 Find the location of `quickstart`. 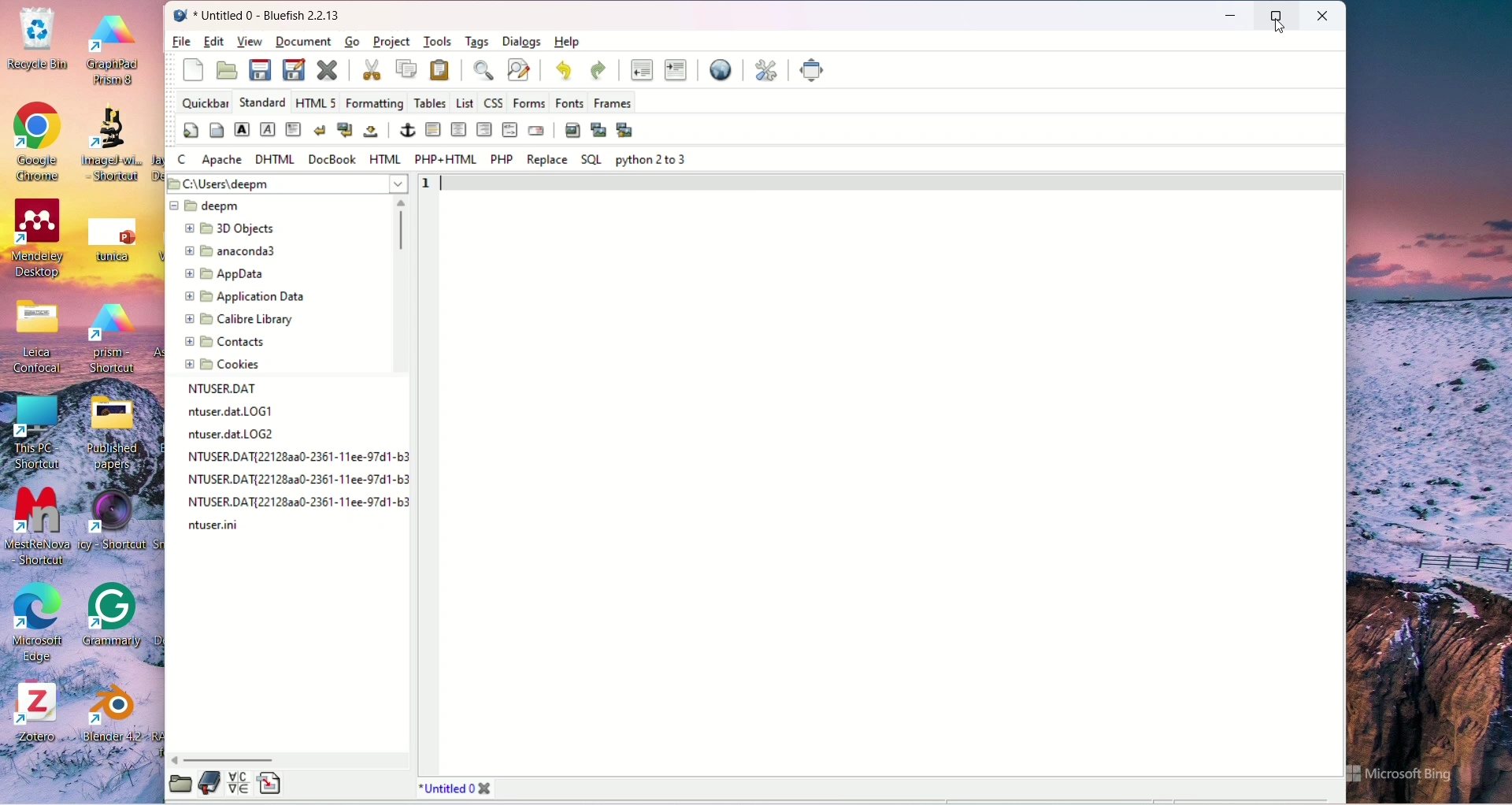

quickstart is located at coordinates (192, 130).